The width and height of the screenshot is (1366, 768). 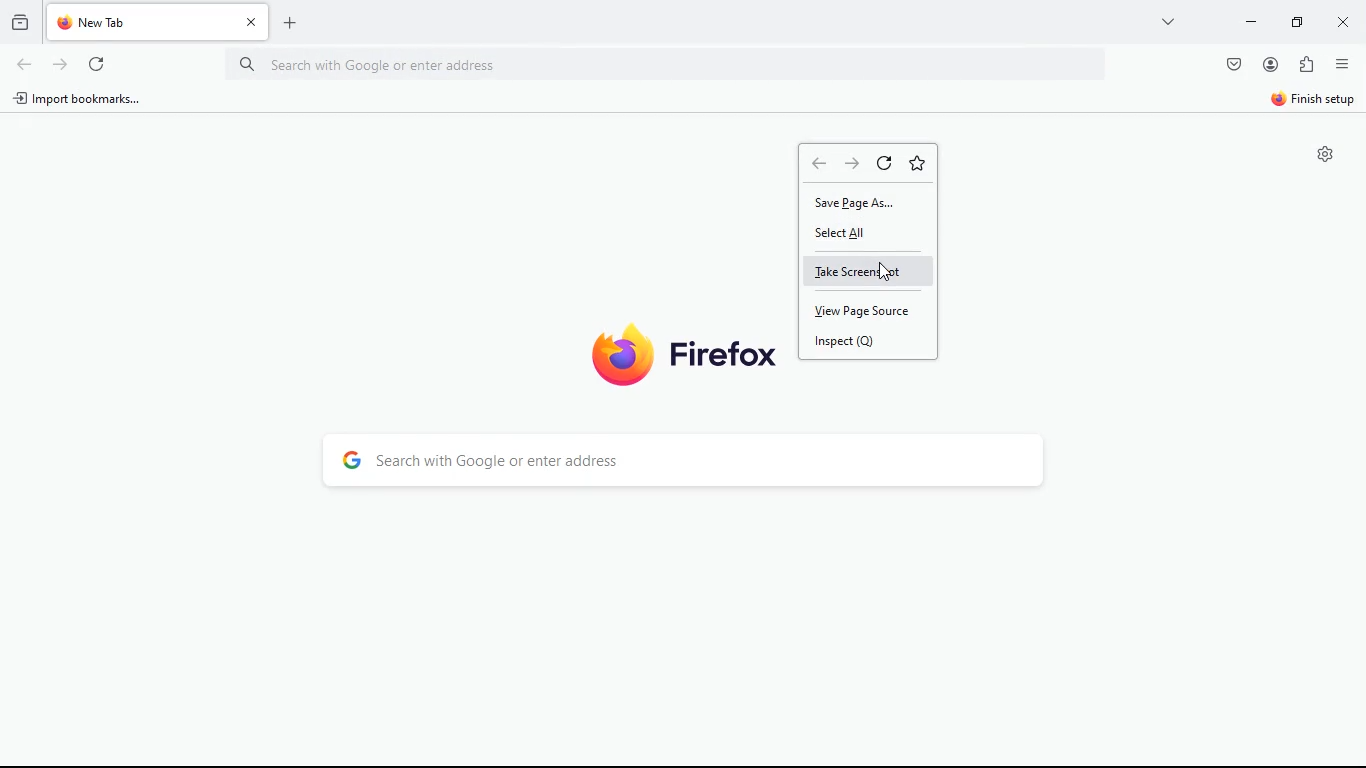 I want to click on take screenshot, so click(x=869, y=272).